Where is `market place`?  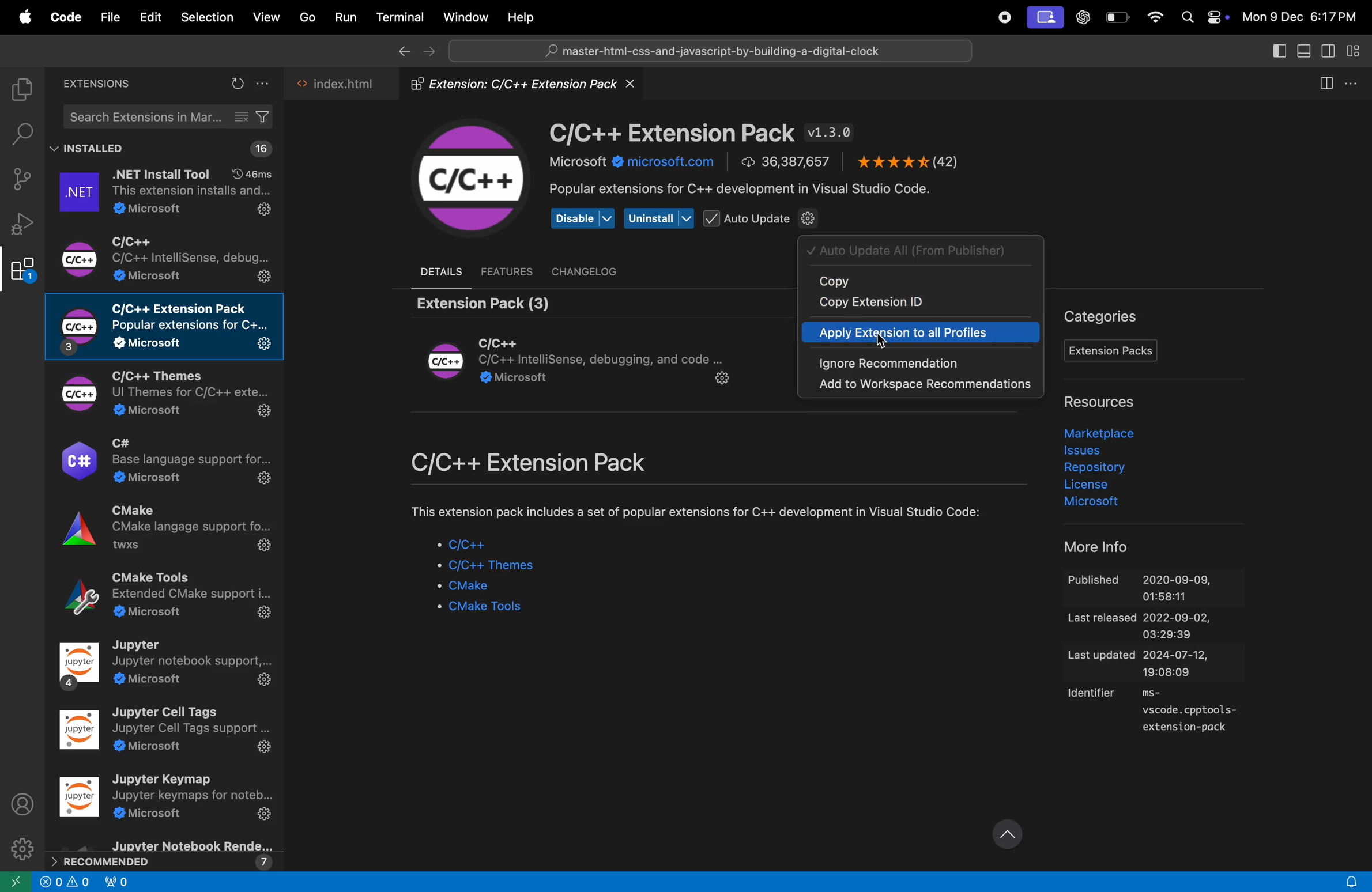
market place is located at coordinates (1105, 433).